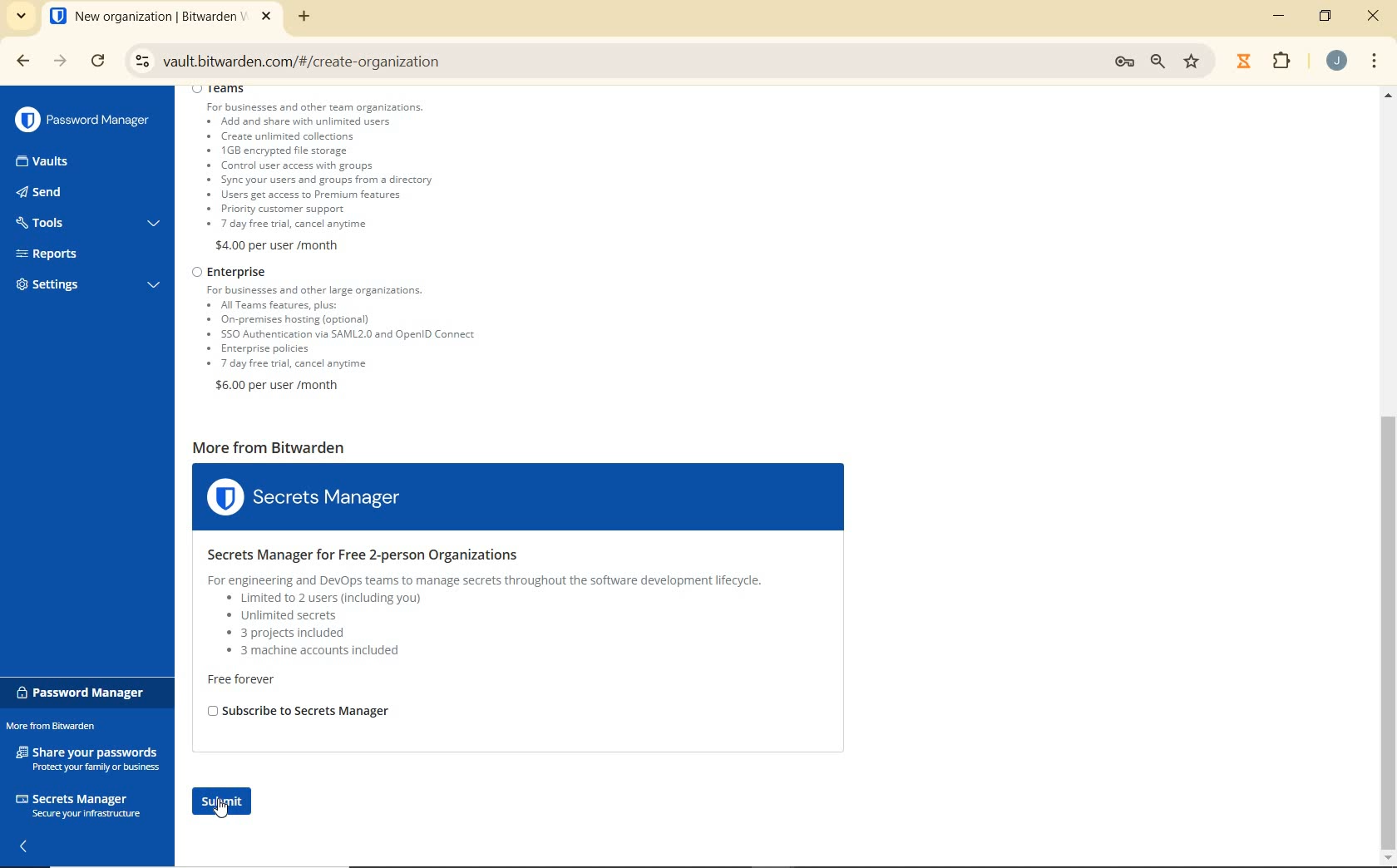  Describe the element at coordinates (1123, 62) in the screenshot. I see `preferences` at that location.